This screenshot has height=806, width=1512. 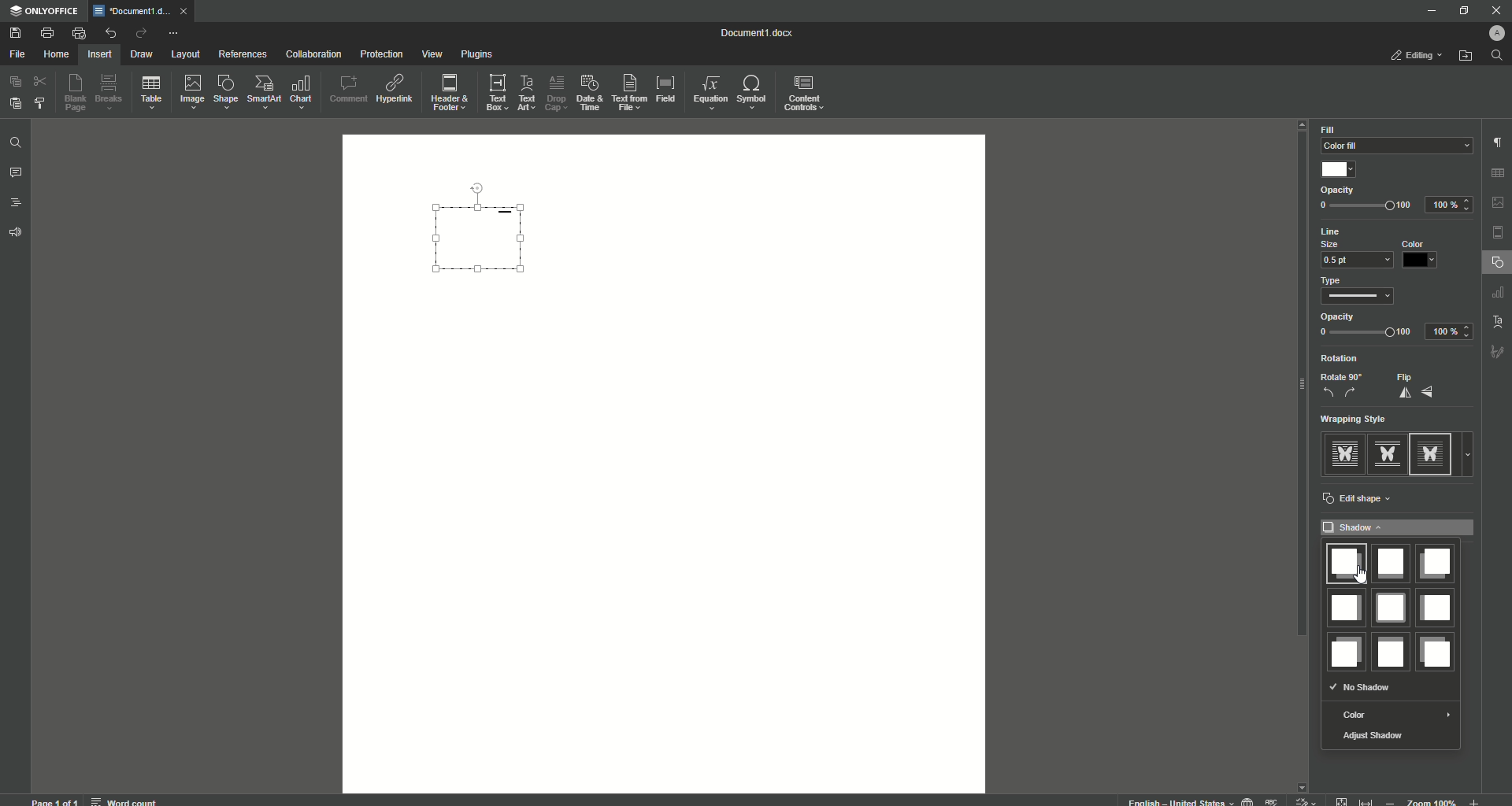 What do you see at coordinates (1497, 56) in the screenshot?
I see `Search` at bounding box center [1497, 56].